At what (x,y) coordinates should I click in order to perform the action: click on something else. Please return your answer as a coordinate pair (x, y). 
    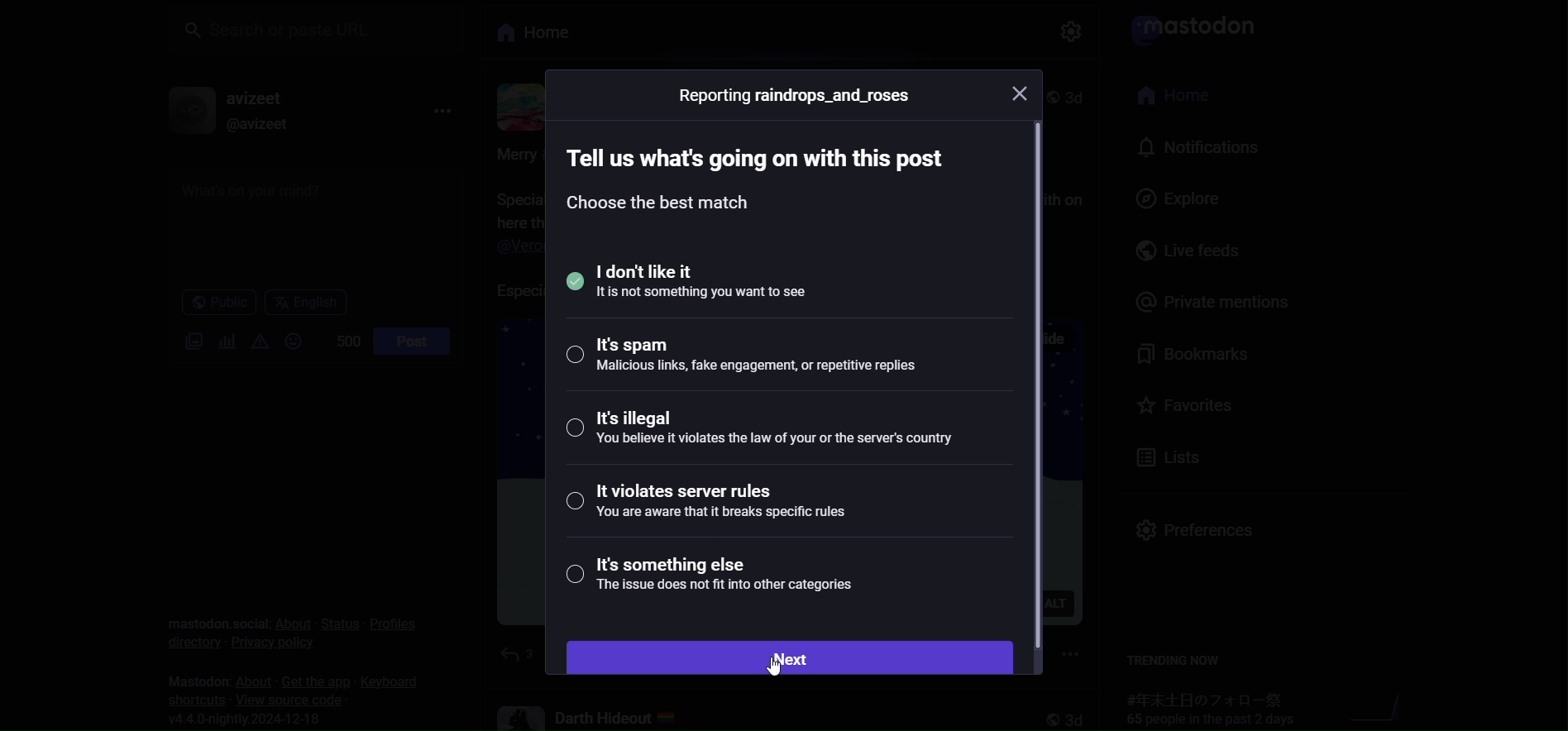
    Looking at the image, I should click on (711, 576).